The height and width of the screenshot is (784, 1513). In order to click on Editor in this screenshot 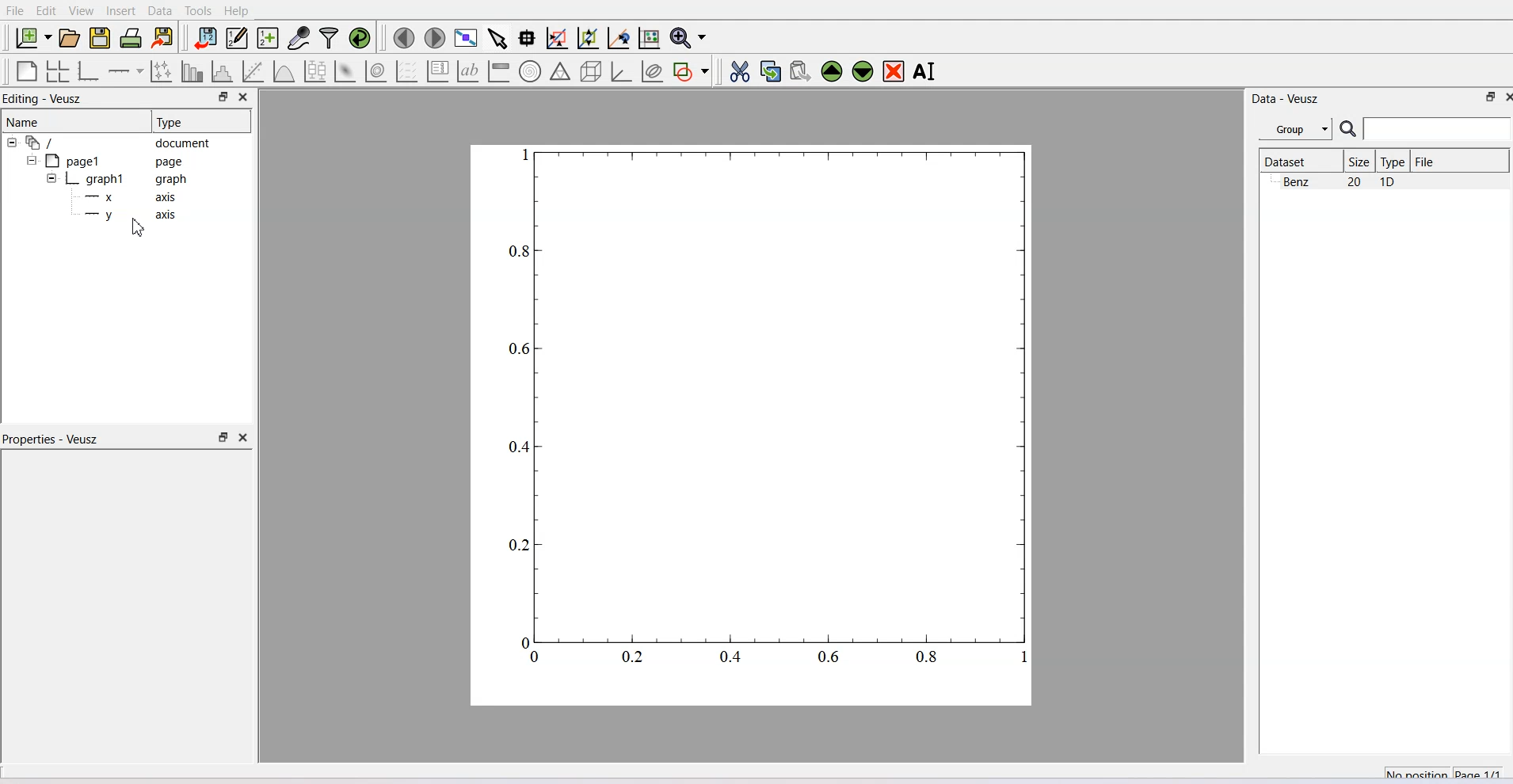, I will do `click(238, 37)`.